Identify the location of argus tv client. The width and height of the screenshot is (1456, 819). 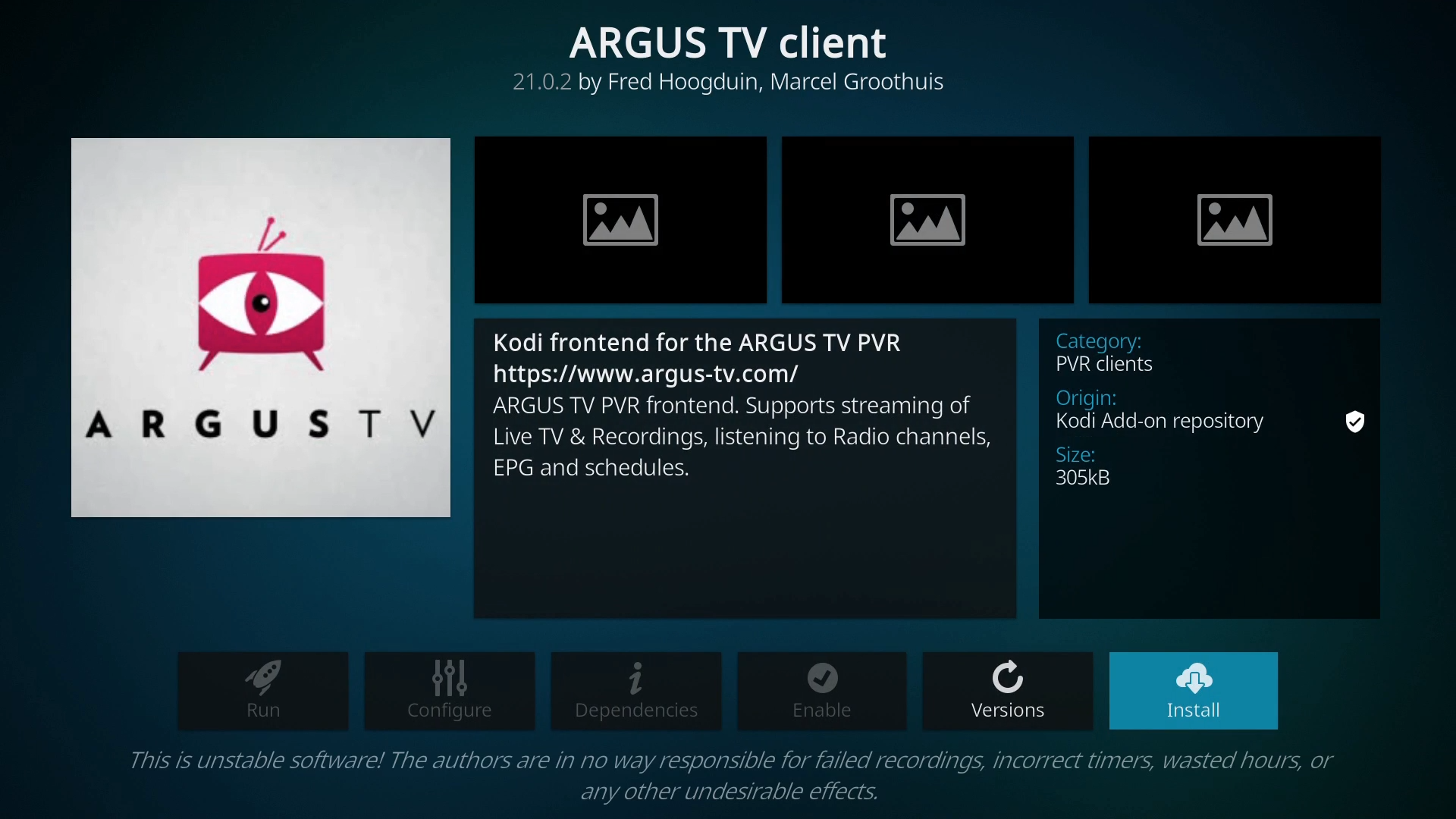
(725, 41).